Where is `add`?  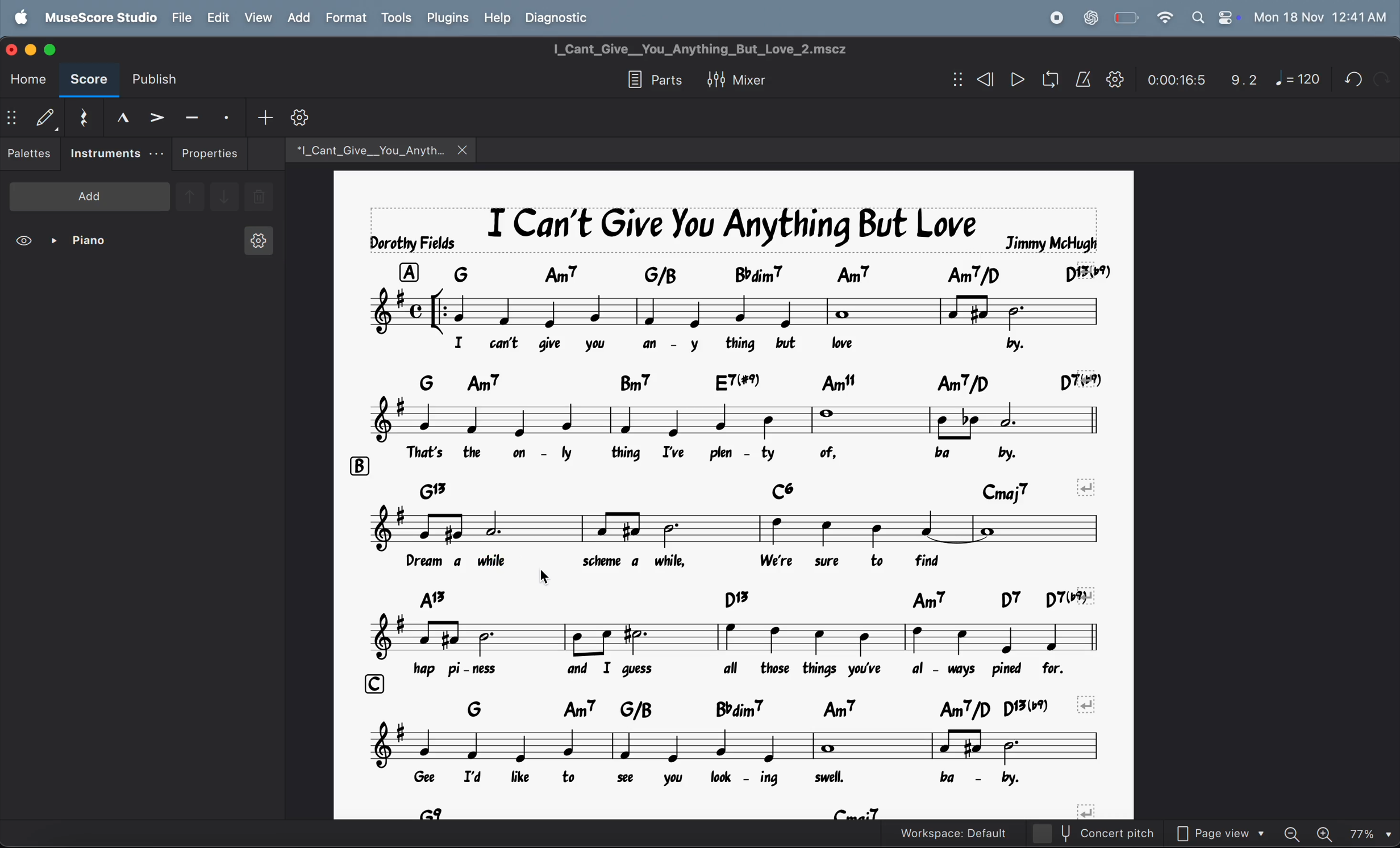 add is located at coordinates (87, 197).